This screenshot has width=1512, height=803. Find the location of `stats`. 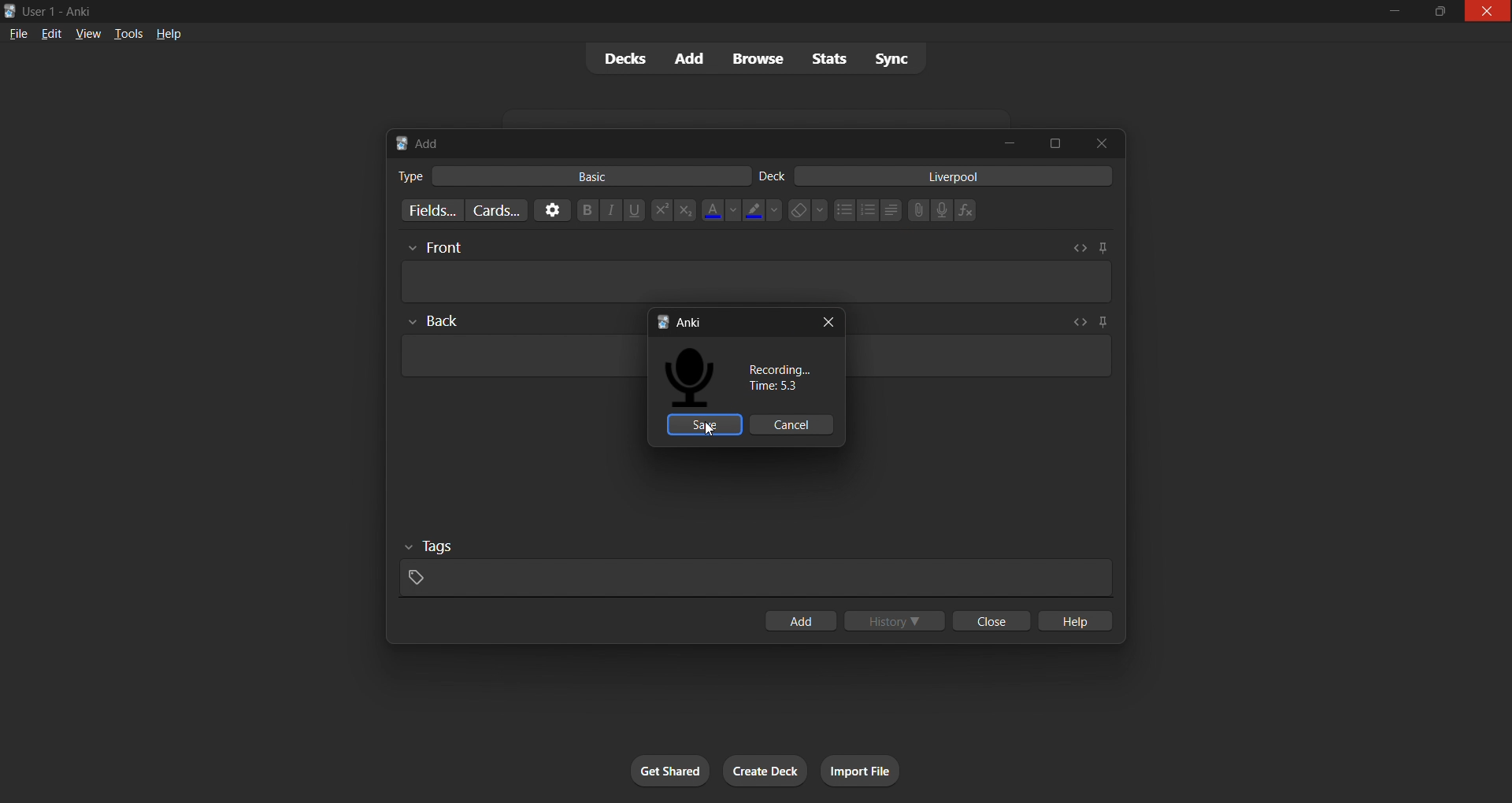

stats is located at coordinates (830, 60).